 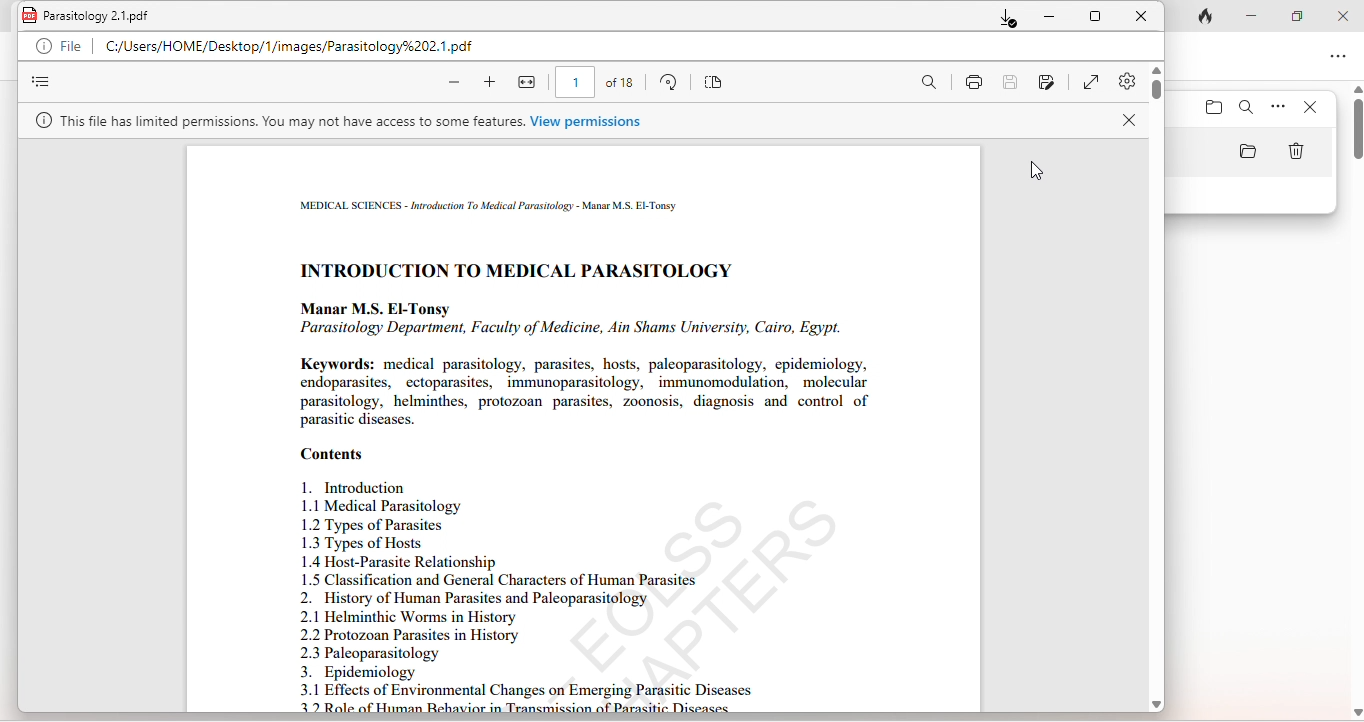 I want to click on fit  height, so click(x=526, y=84).